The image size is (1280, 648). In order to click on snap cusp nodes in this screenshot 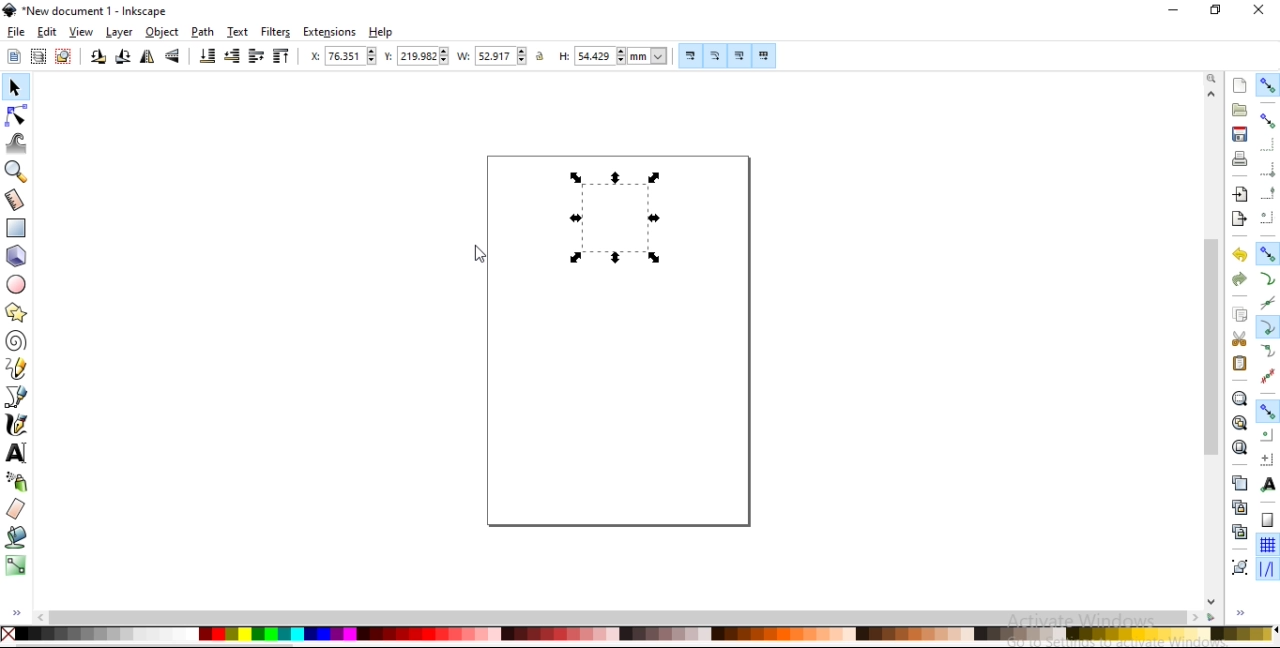, I will do `click(1267, 327)`.